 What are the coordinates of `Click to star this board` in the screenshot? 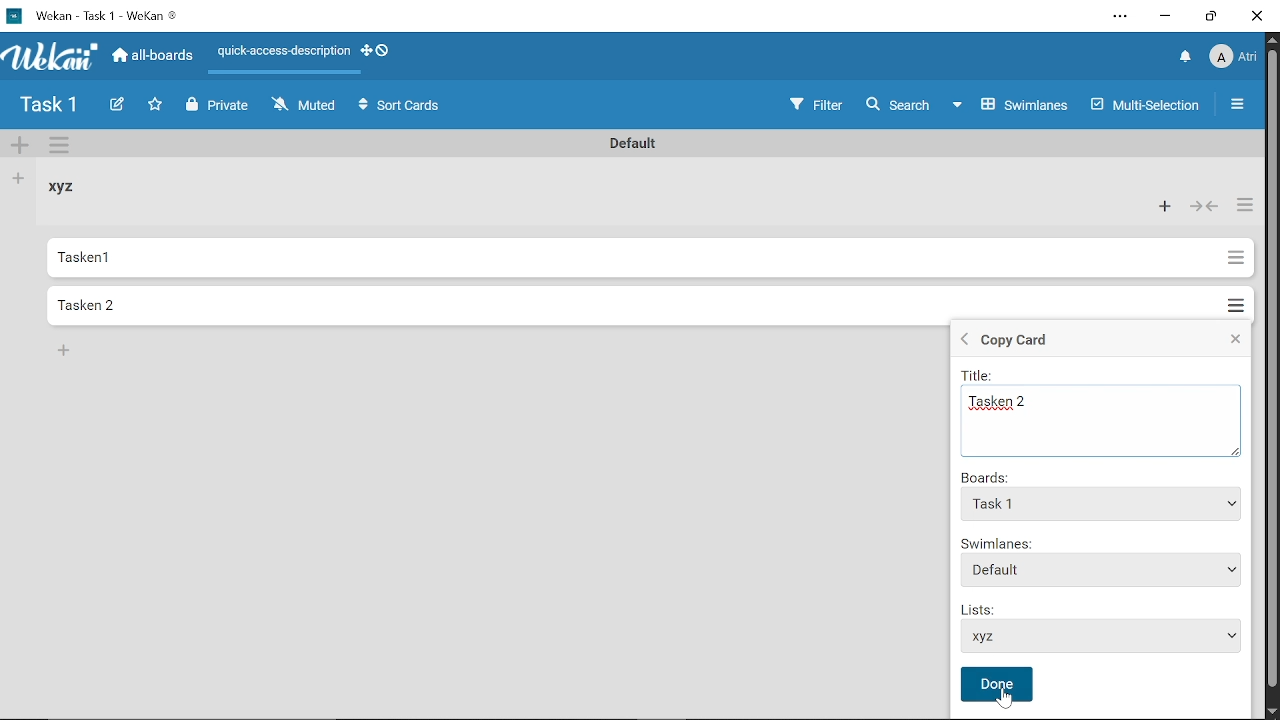 It's located at (157, 106).